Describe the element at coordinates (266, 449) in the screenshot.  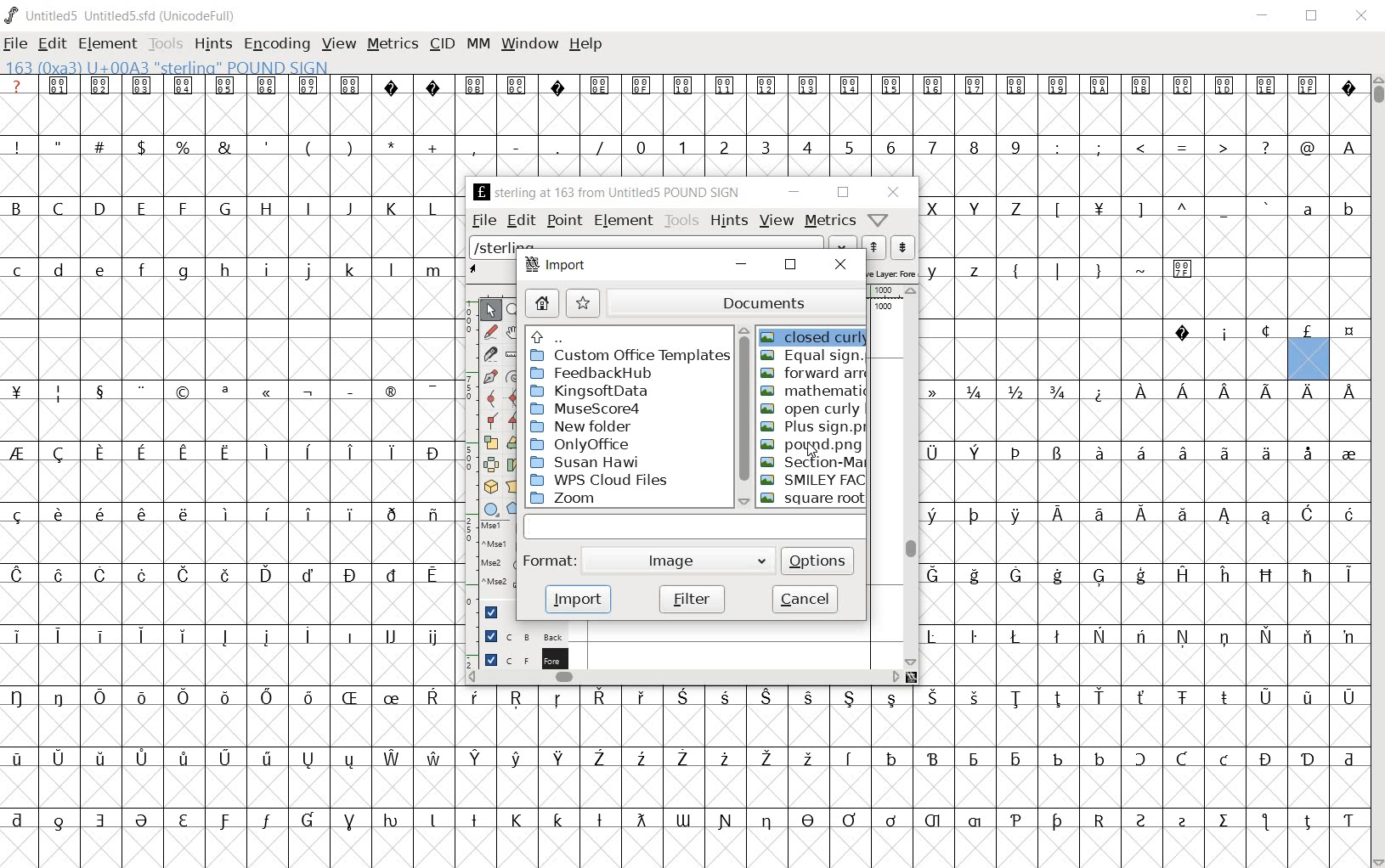
I see `Symbol` at that location.